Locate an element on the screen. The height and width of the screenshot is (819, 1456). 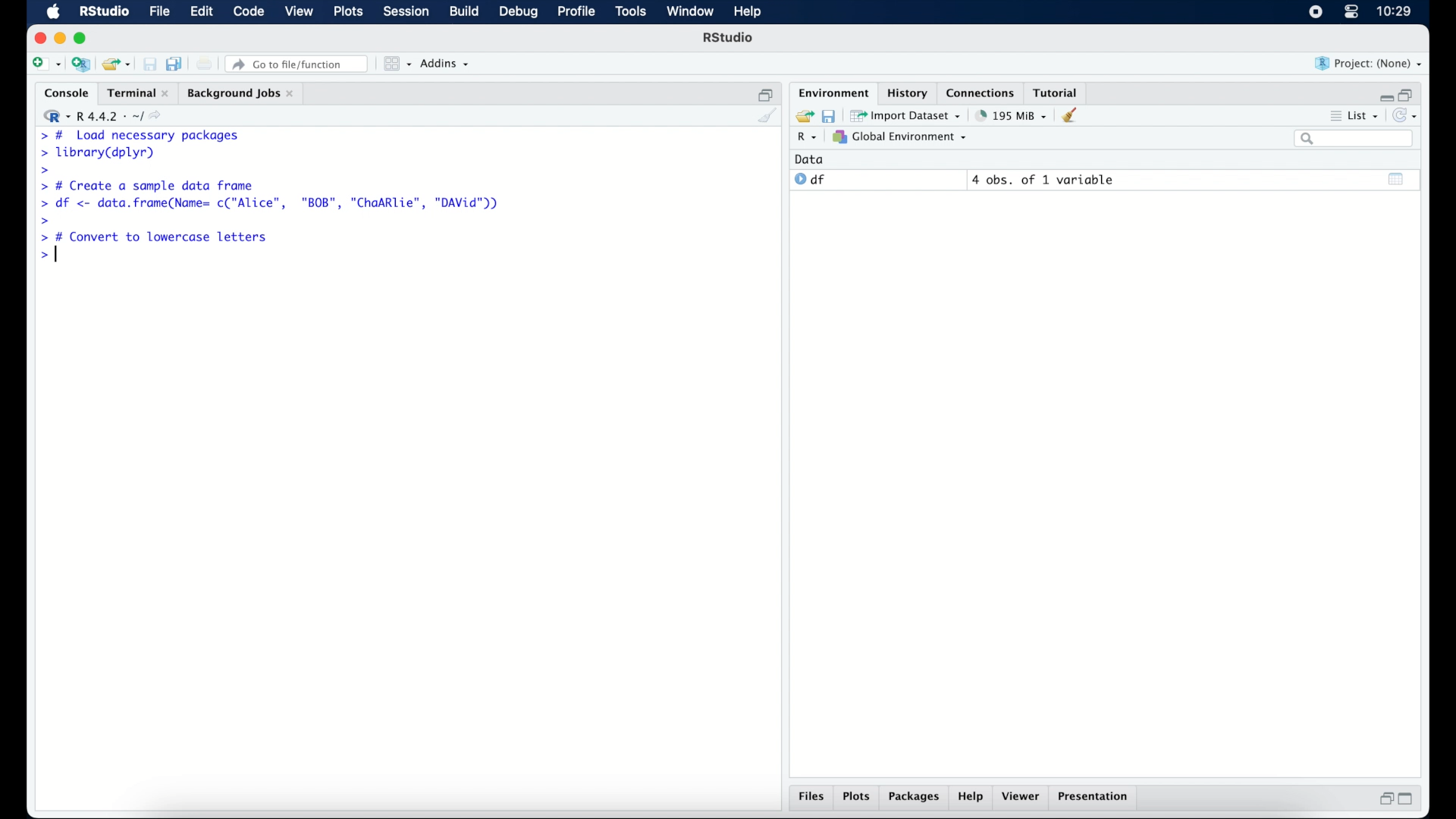
load existing project is located at coordinates (115, 64).